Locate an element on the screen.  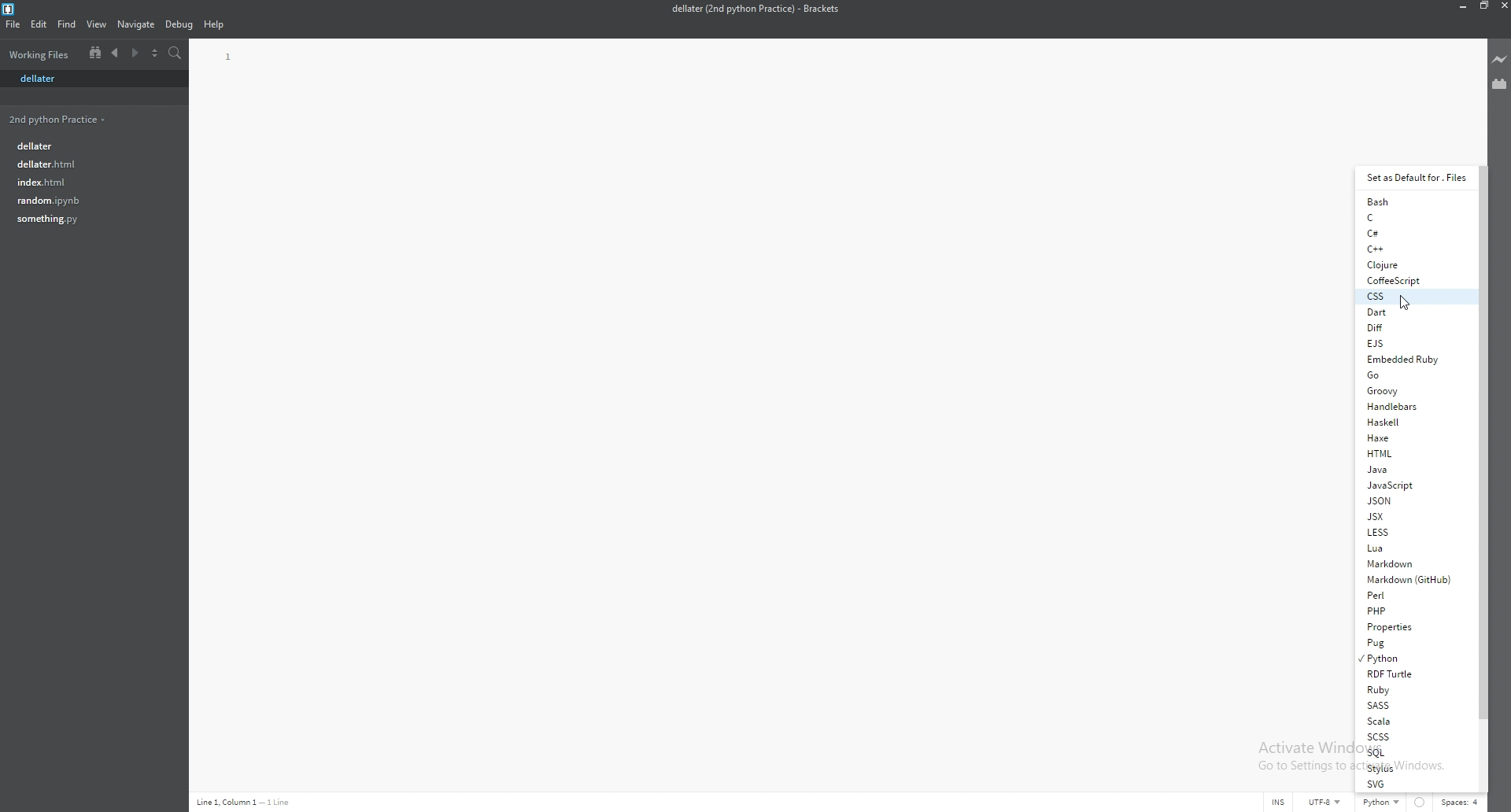
css is located at coordinates (1413, 297).